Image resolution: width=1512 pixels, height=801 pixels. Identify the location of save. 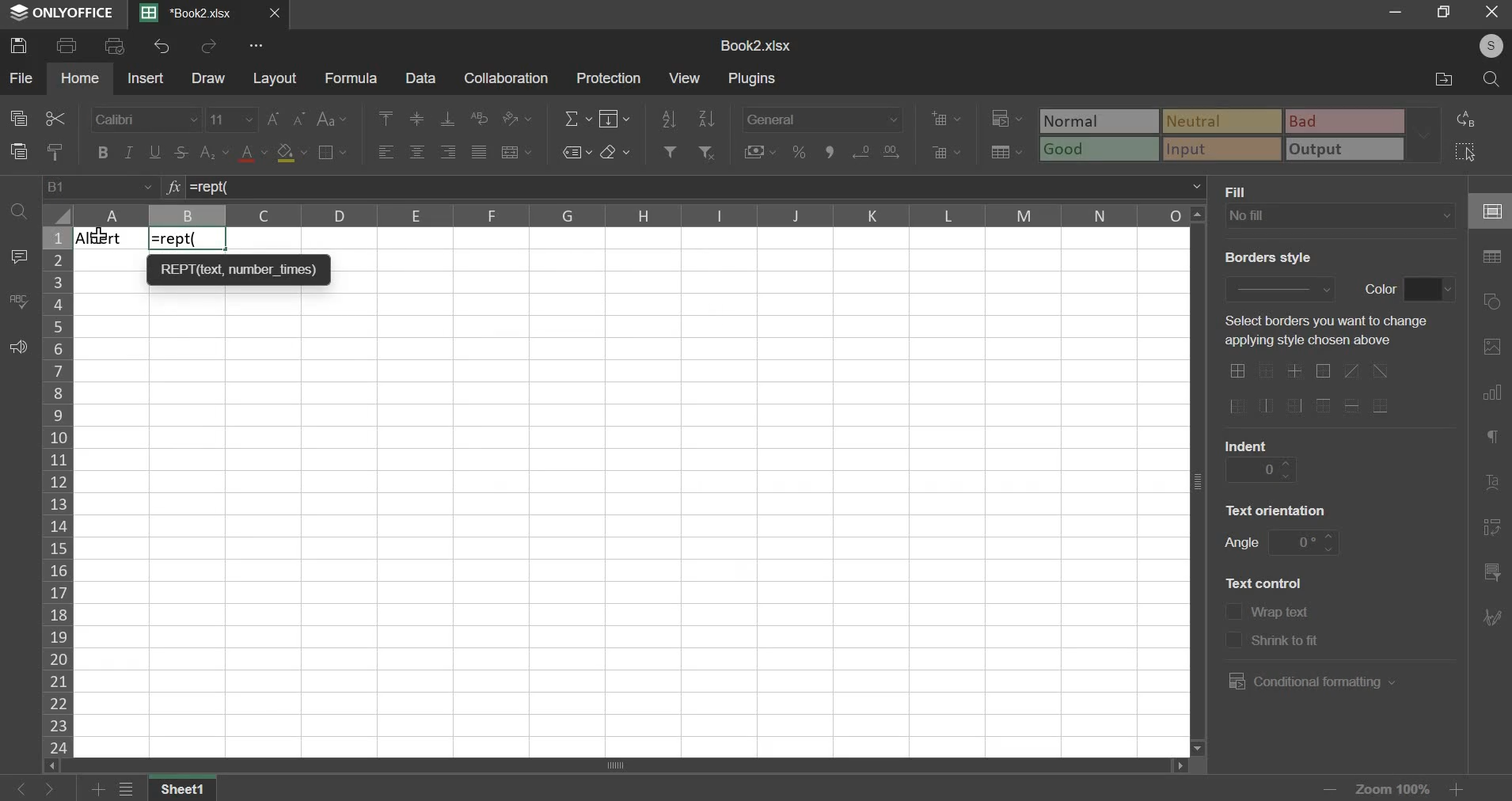
(18, 45).